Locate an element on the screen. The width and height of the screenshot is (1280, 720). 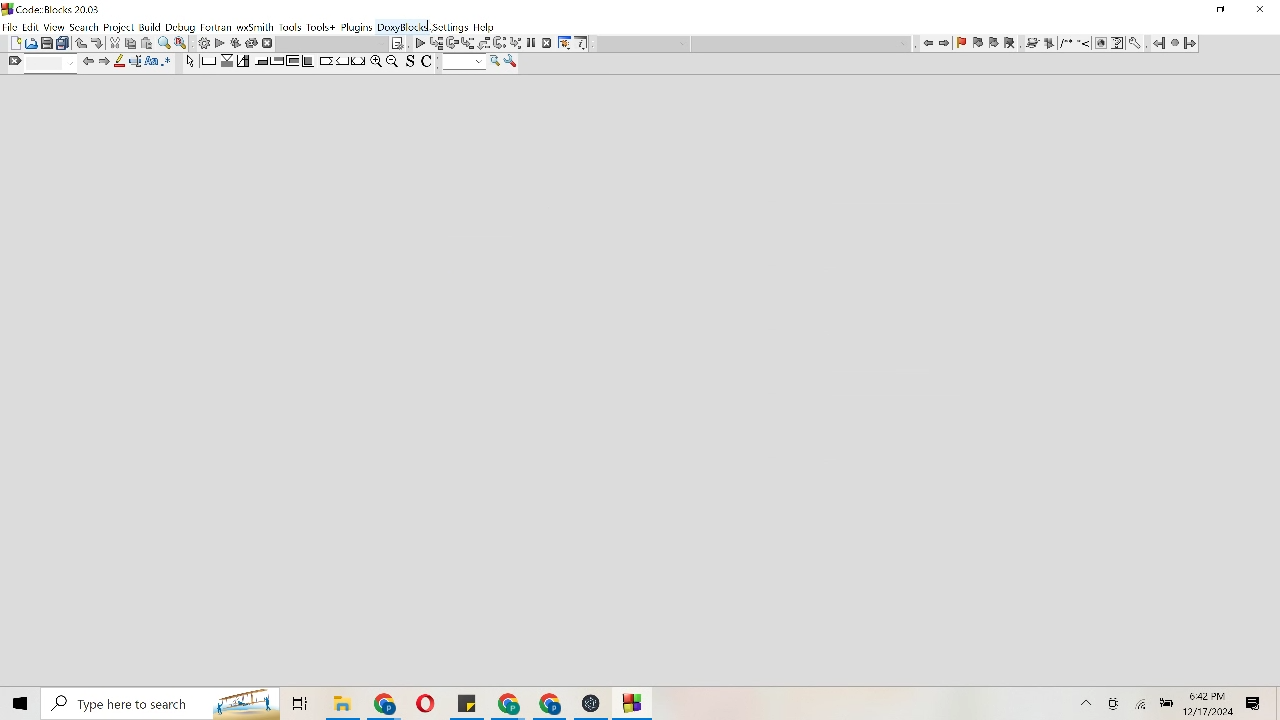
Move left is located at coordinates (88, 61).